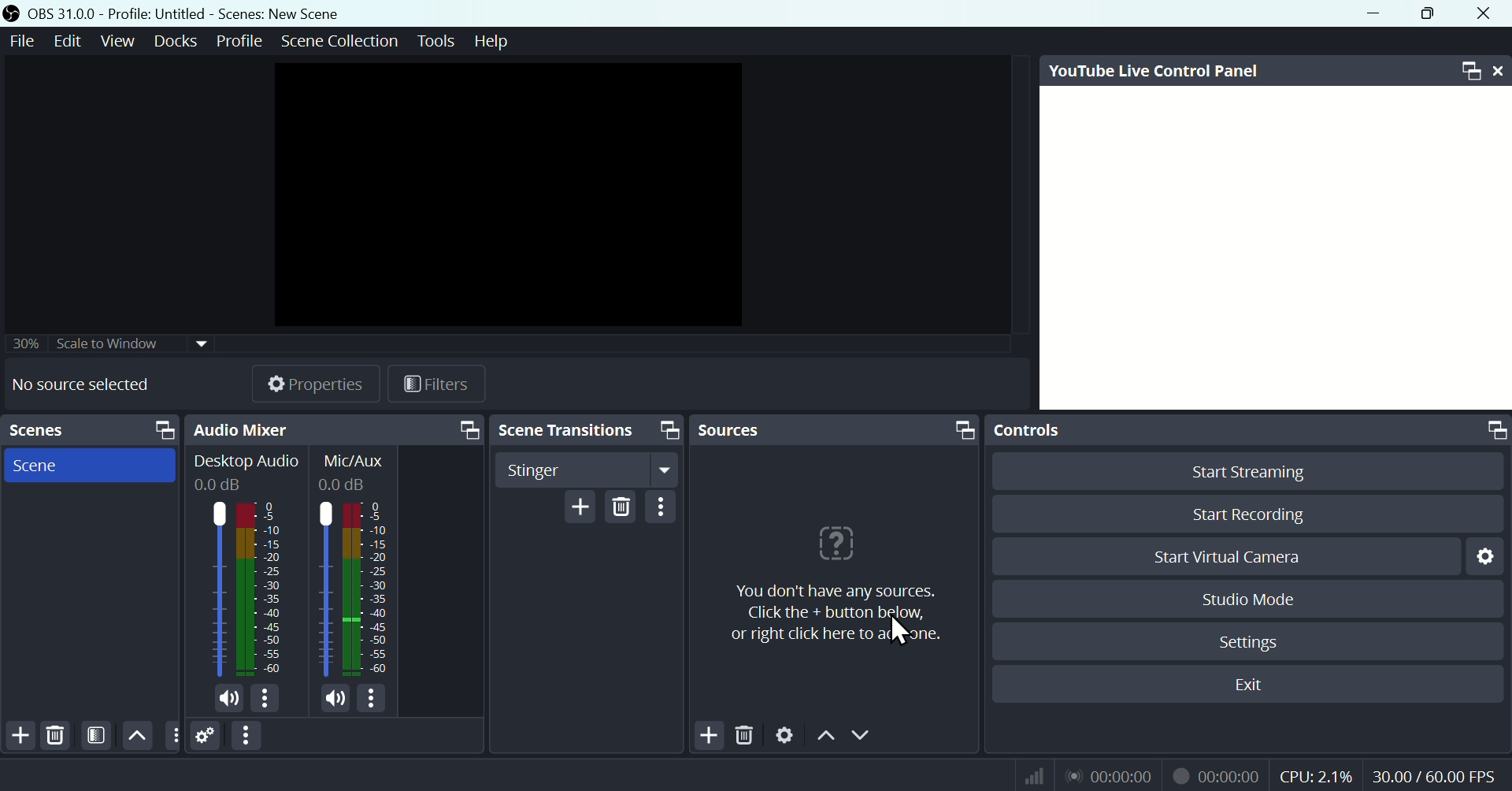 The height and width of the screenshot is (791, 1512). Describe the element at coordinates (301, 383) in the screenshot. I see `Properties` at that location.